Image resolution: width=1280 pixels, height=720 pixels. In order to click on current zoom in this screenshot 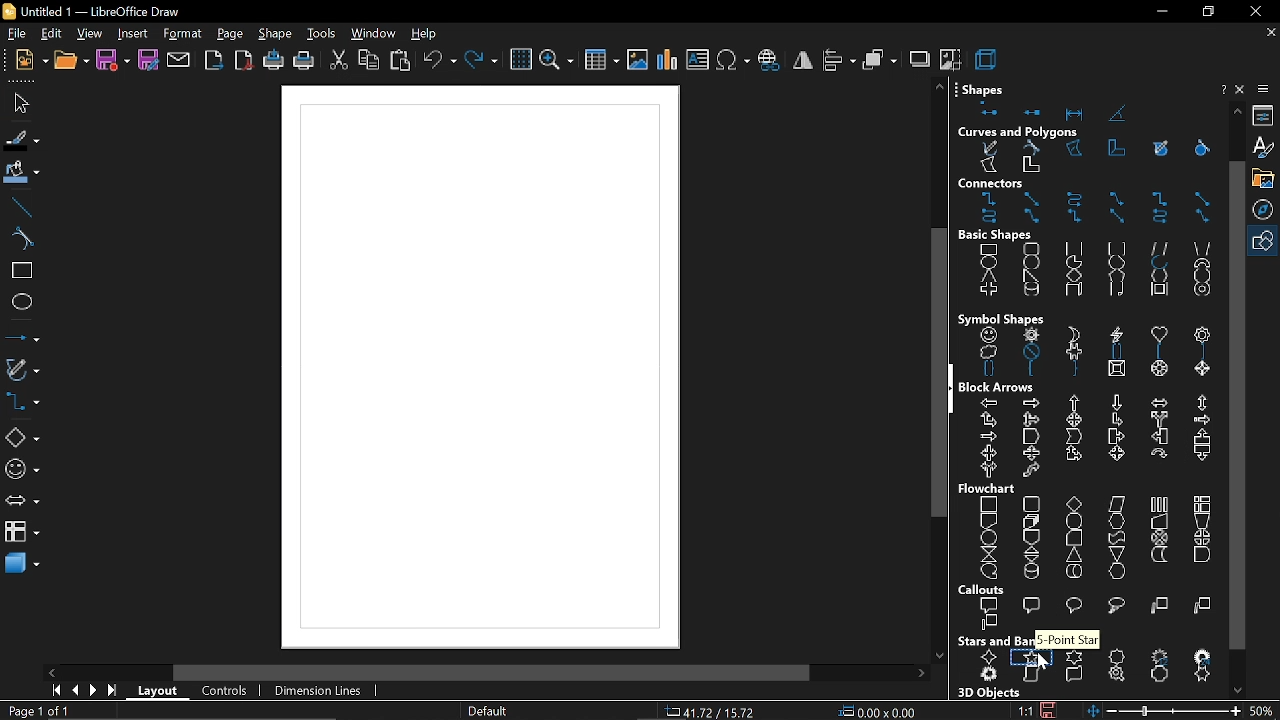, I will do `click(1265, 712)`.